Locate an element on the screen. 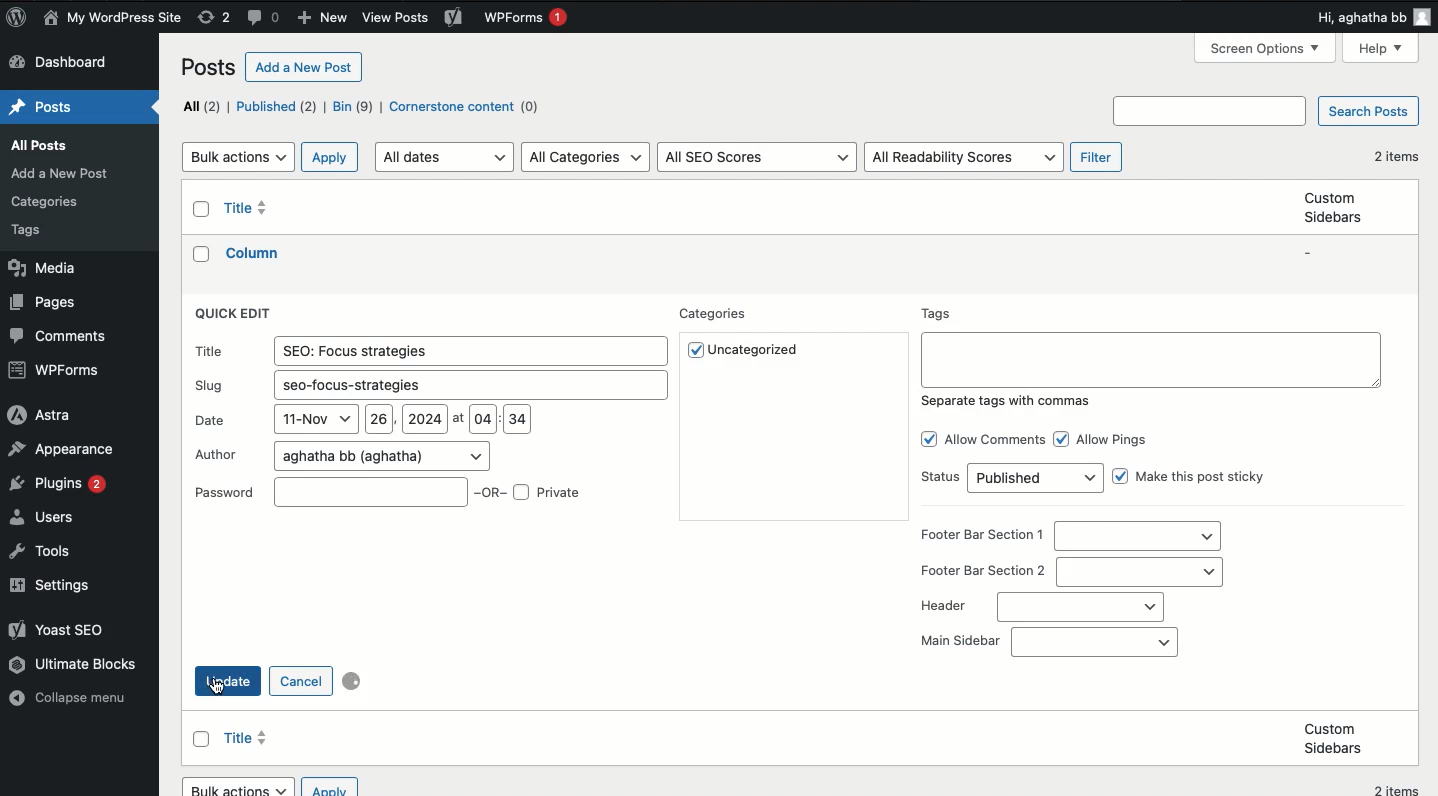 The width and height of the screenshot is (1438, 796). Astra is located at coordinates (39, 414).